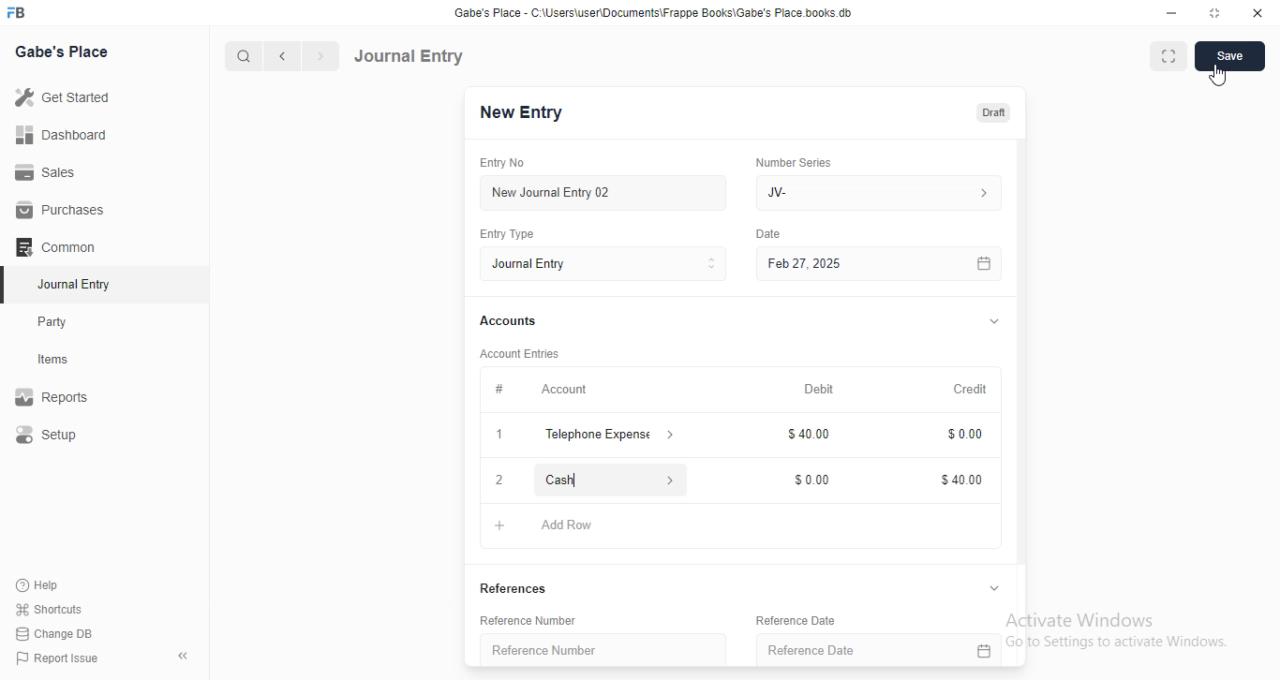 The image size is (1280, 680). What do you see at coordinates (66, 97) in the screenshot?
I see `Get Started` at bounding box center [66, 97].